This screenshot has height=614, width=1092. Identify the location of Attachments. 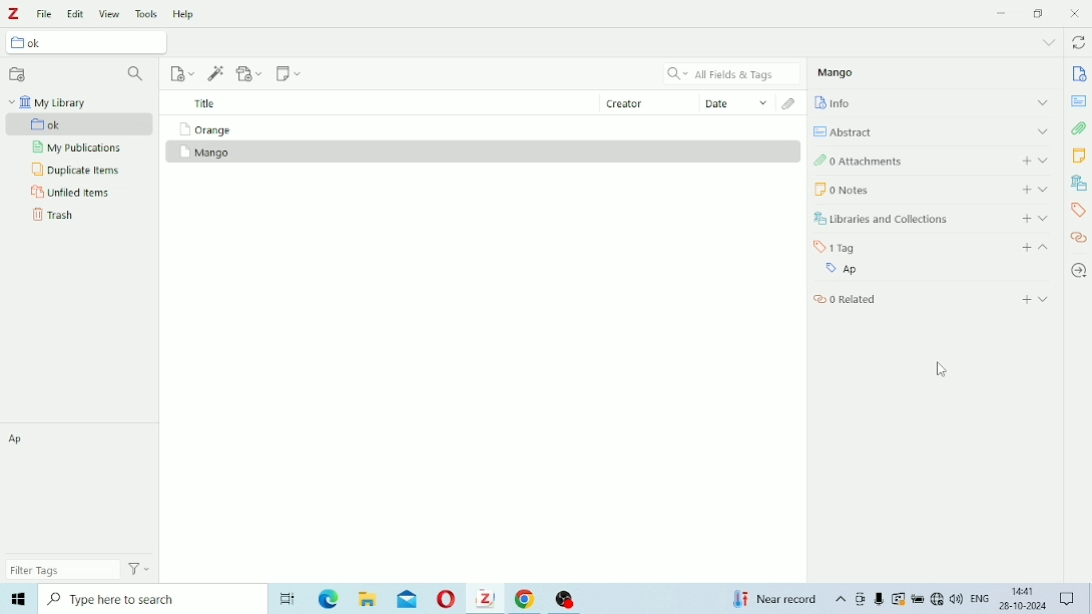
(1079, 128).